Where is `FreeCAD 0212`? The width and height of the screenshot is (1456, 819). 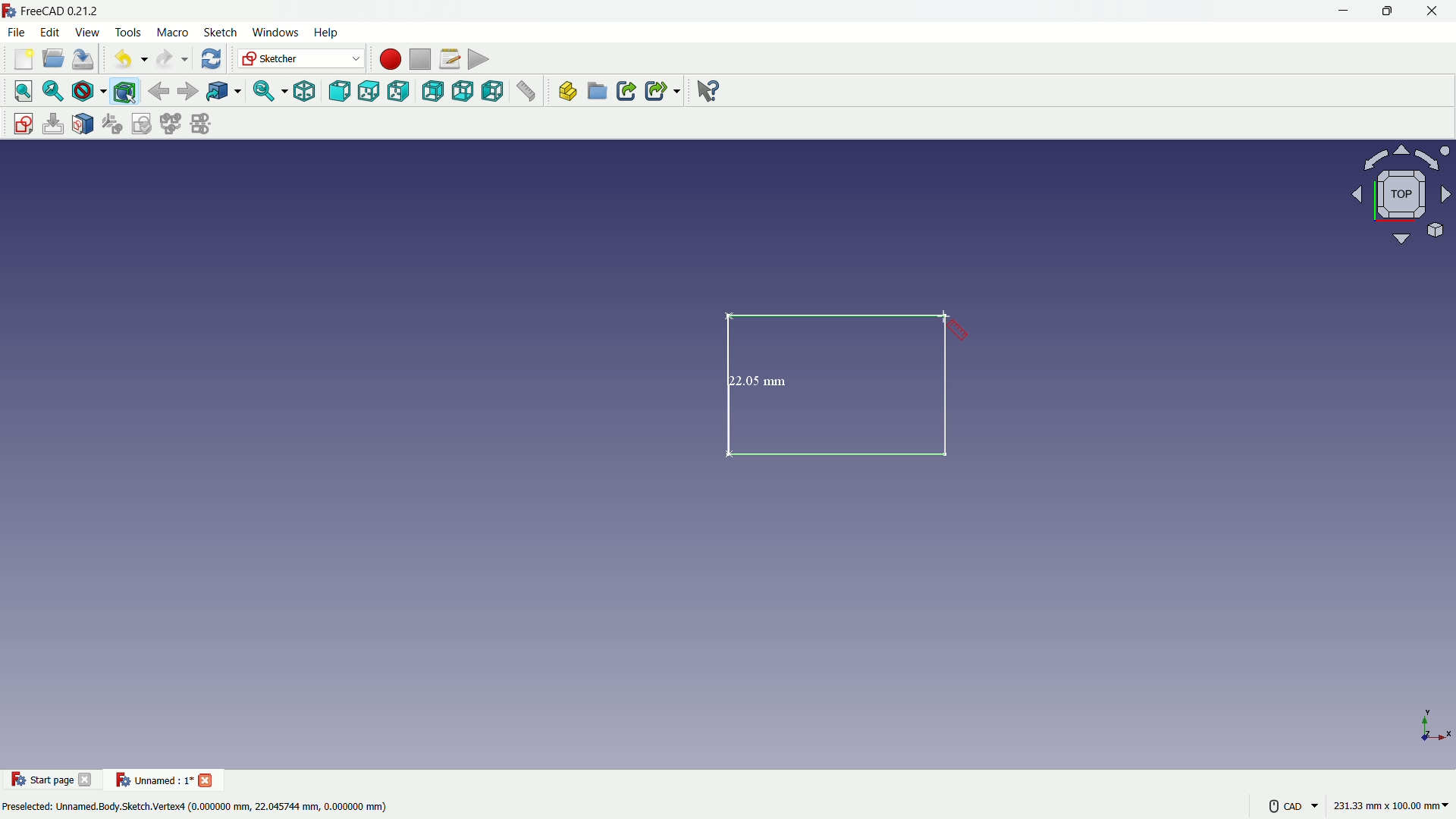 FreeCAD 0212 is located at coordinates (72, 11).